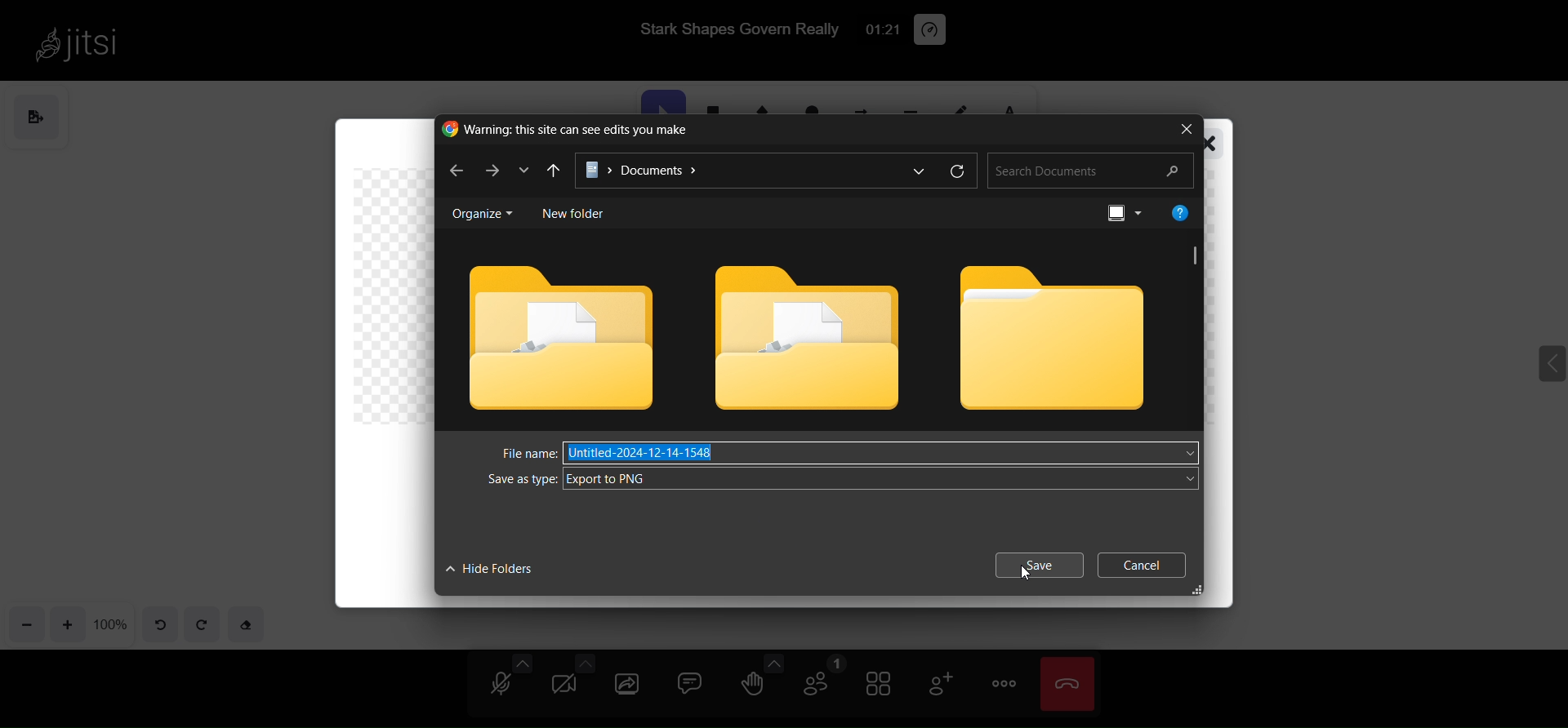 Image resolution: width=1568 pixels, height=728 pixels. I want to click on more camera option, so click(587, 663).